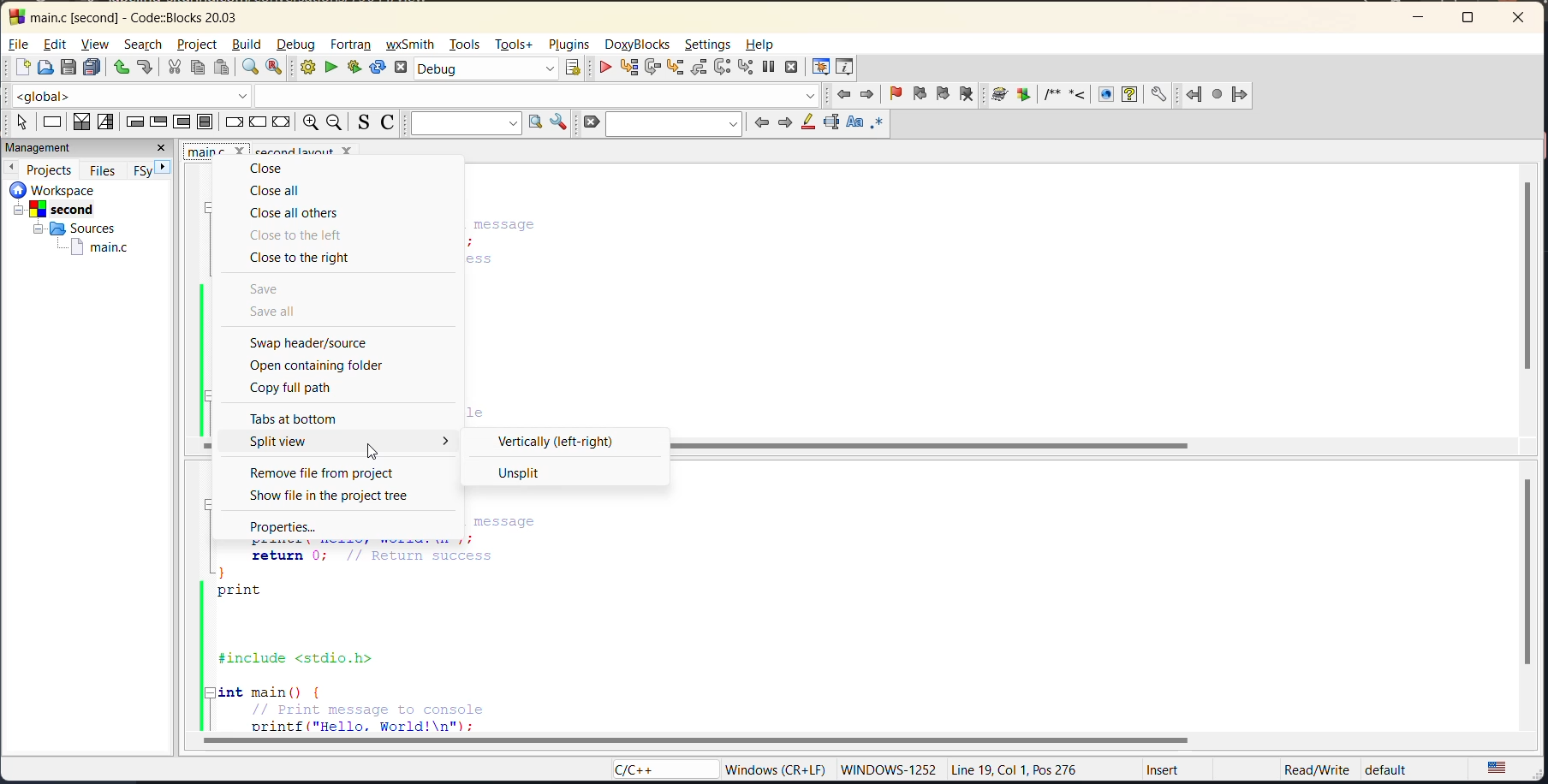 The width and height of the screenshot is (1548, 784). Describe the element at coordinates (674, 124) in the screenshot. I see `search` at that location.